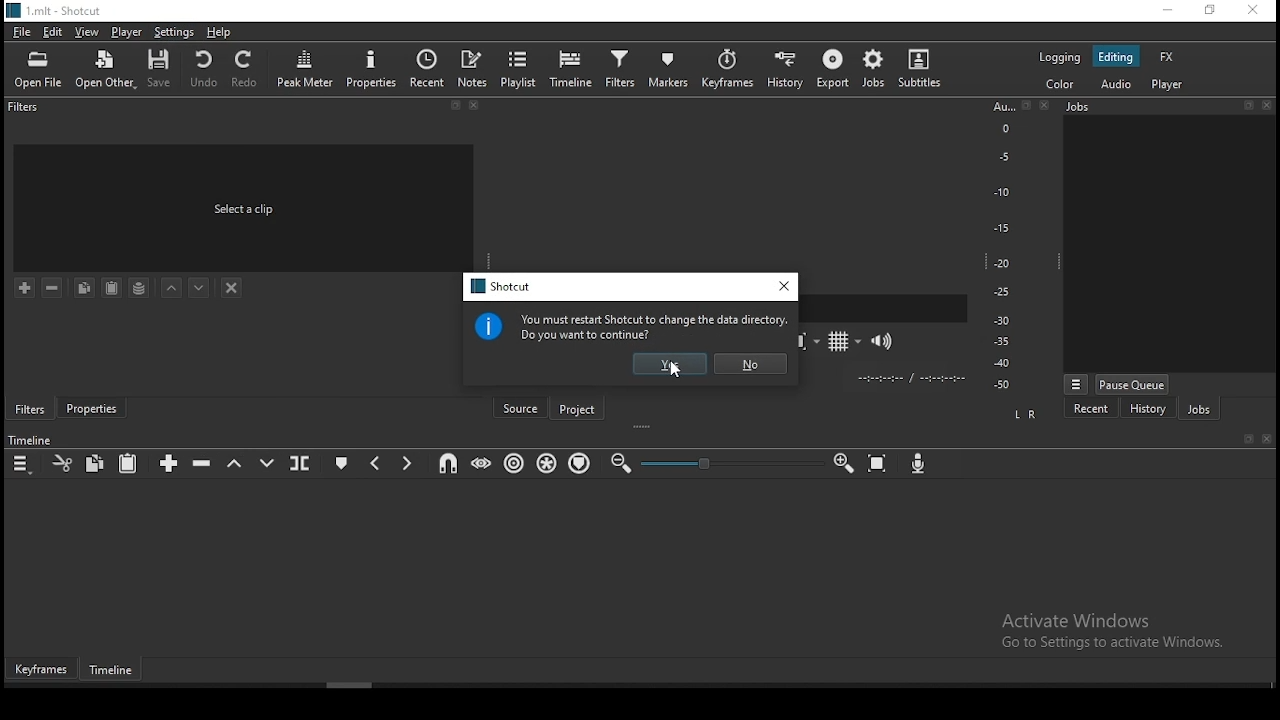 This screenshot has height=720, width=1280. What do you see at coordinates (521, 68) in the screenshot?
I see `playlist` at bounding box center [521, 68].